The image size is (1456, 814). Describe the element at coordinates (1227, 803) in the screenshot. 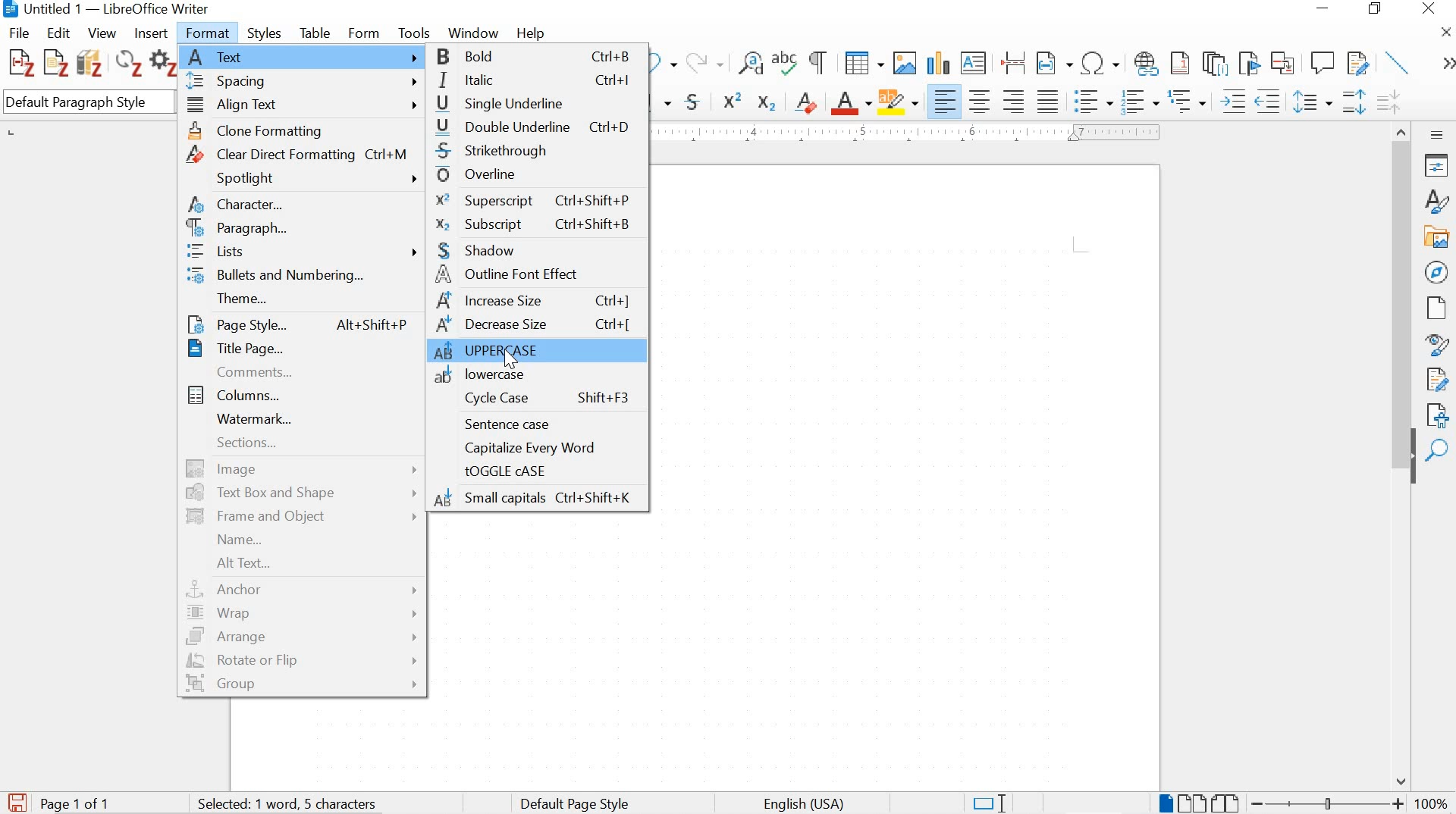

I see `book view` at that location.